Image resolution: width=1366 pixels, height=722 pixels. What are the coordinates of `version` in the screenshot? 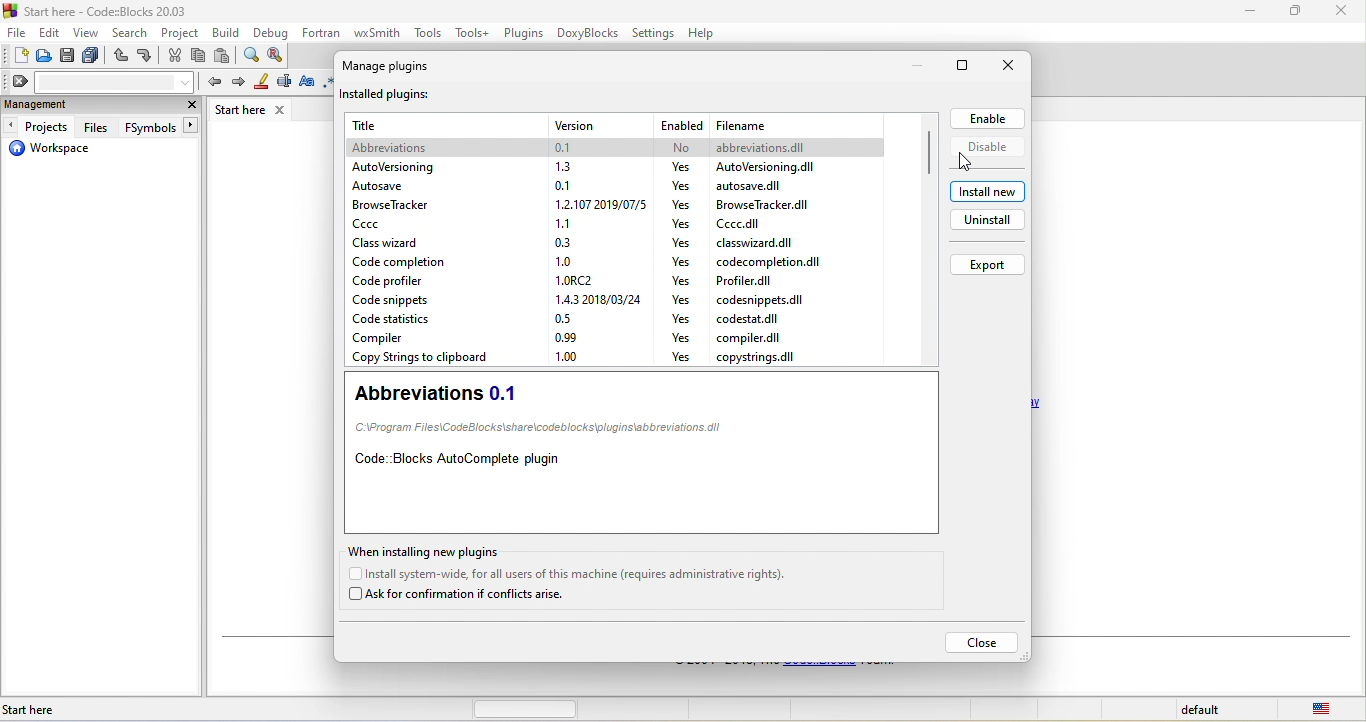 It's located at (602, 125).